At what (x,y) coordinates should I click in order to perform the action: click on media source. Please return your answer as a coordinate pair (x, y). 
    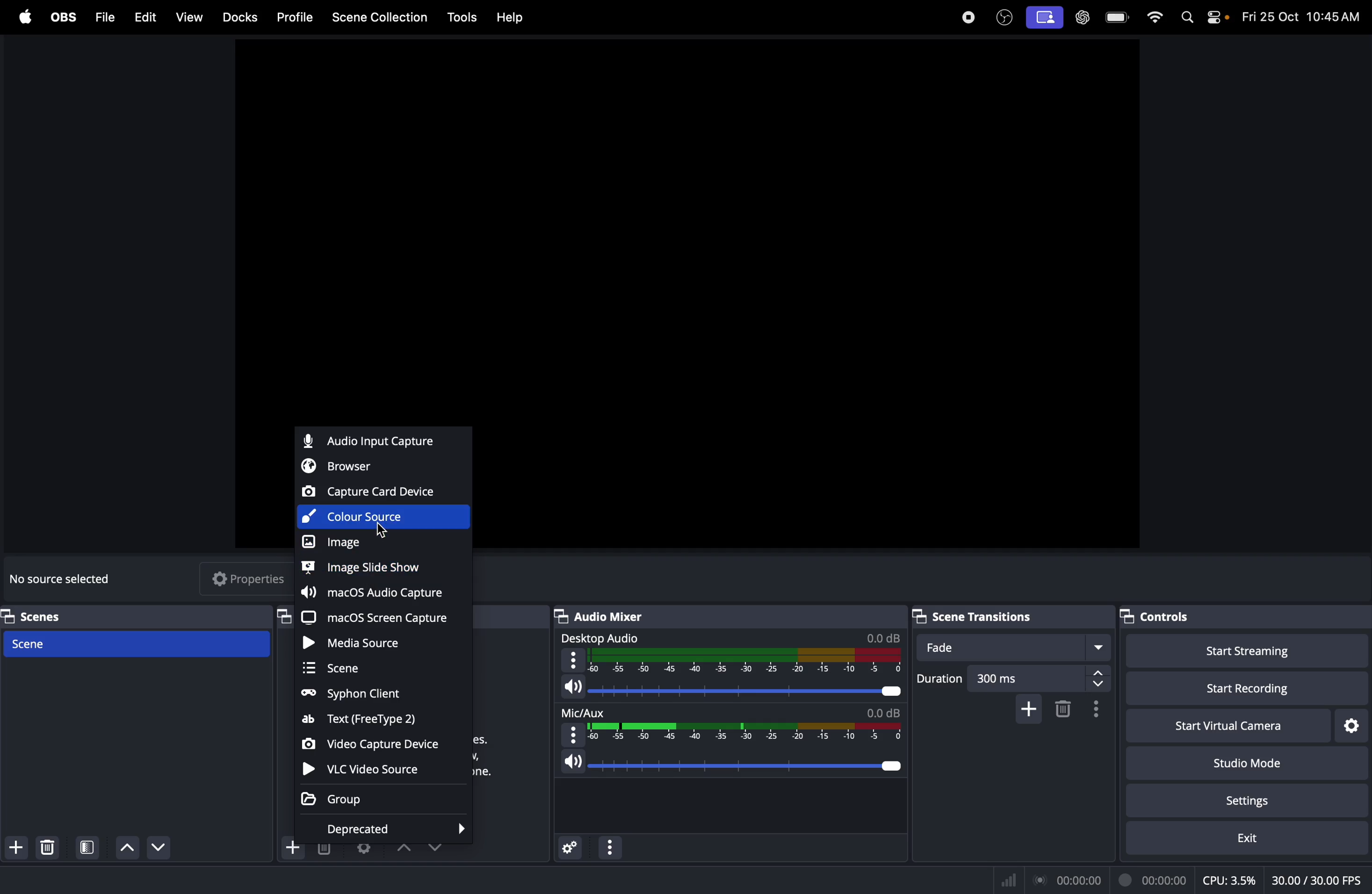
    Looking at the image, I should click on (360, 641).